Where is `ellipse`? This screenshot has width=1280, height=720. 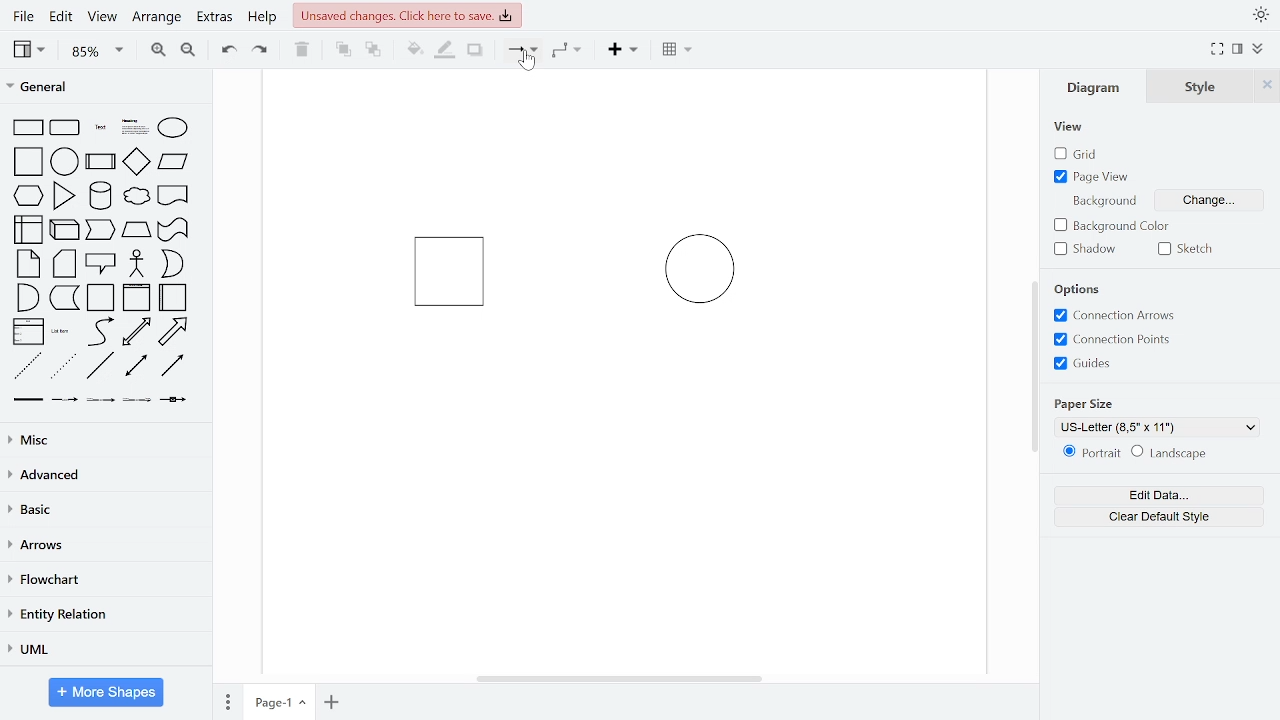 ellipse is located at coordinates (177, 129).